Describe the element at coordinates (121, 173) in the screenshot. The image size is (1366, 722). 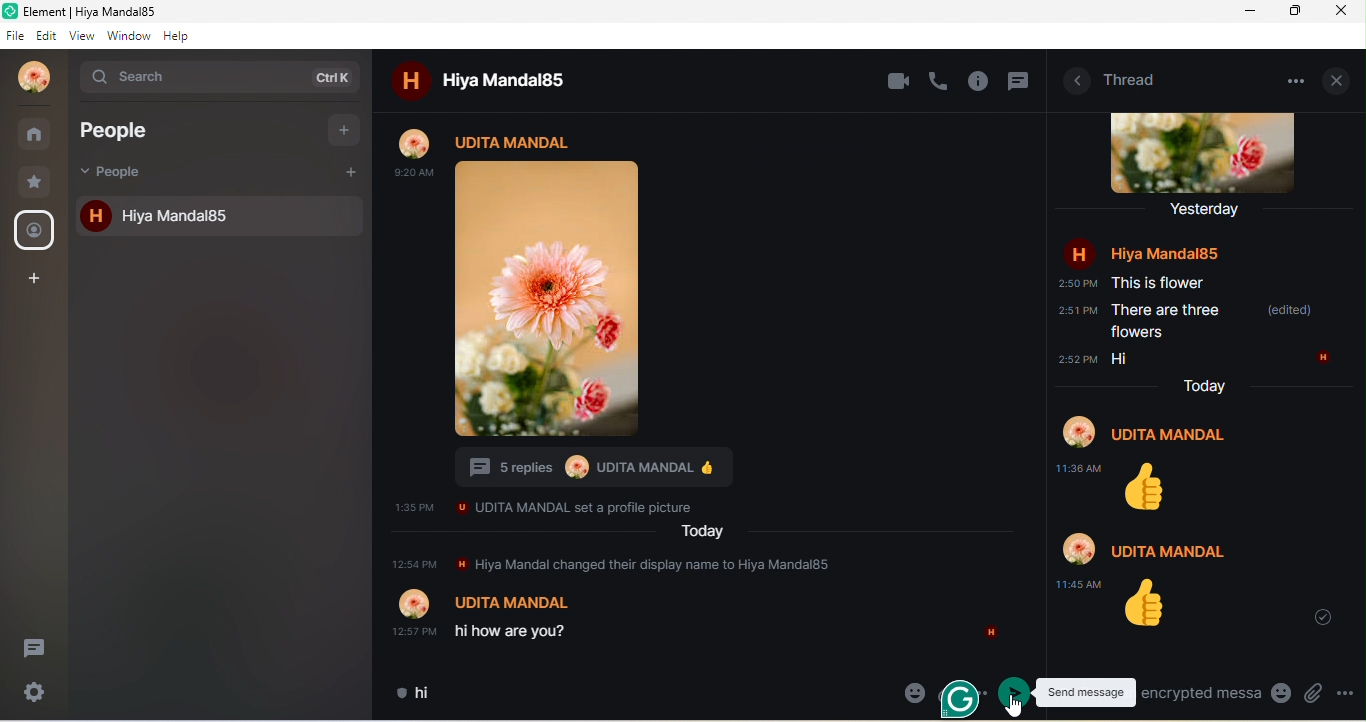
I see `people` at that location.